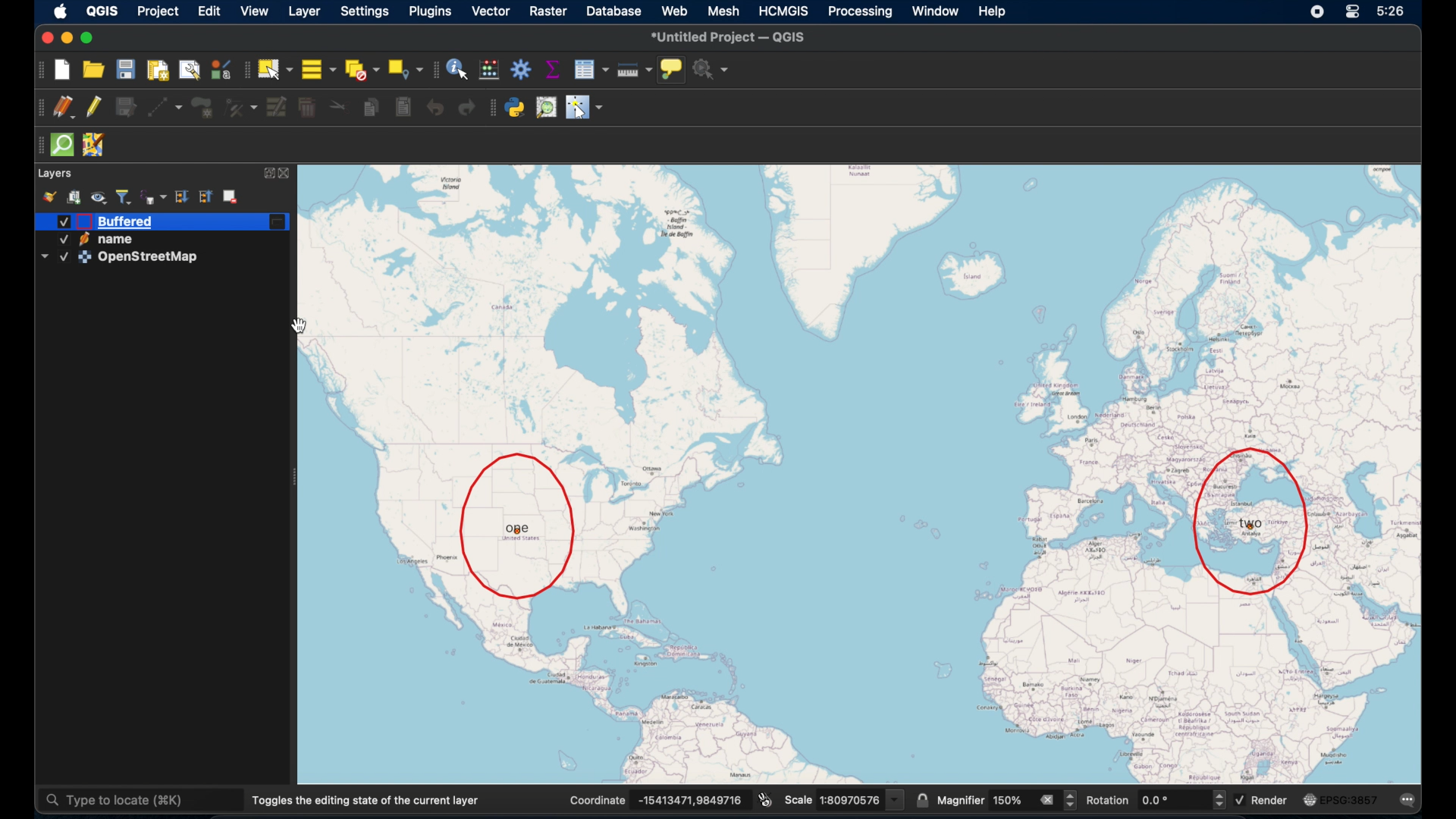  Describe the element at coordinates (89, 39) in the screenshot. I see `maximize` at that location.